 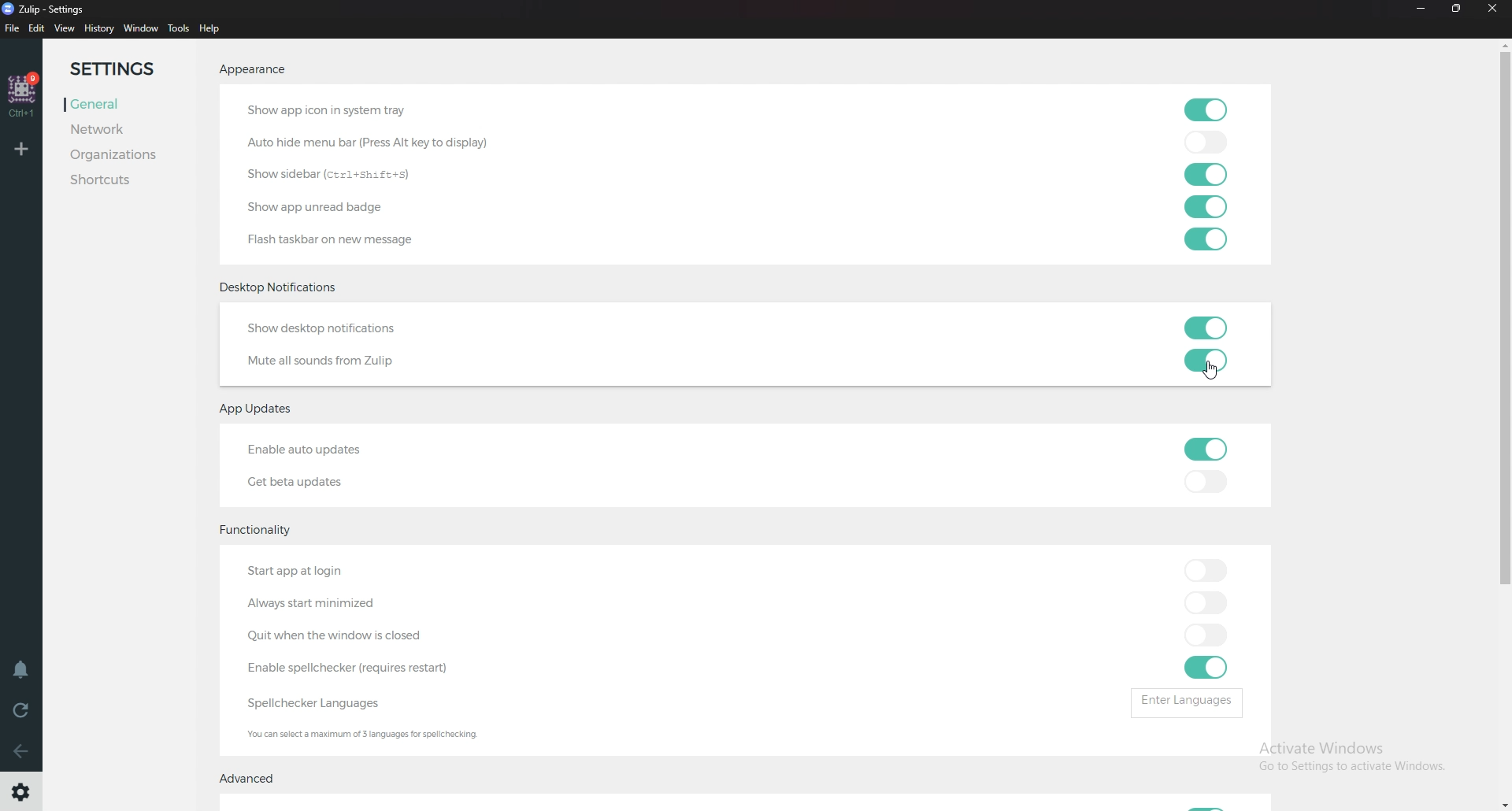 I want to click on toggle, so click(x=1206, y=668).